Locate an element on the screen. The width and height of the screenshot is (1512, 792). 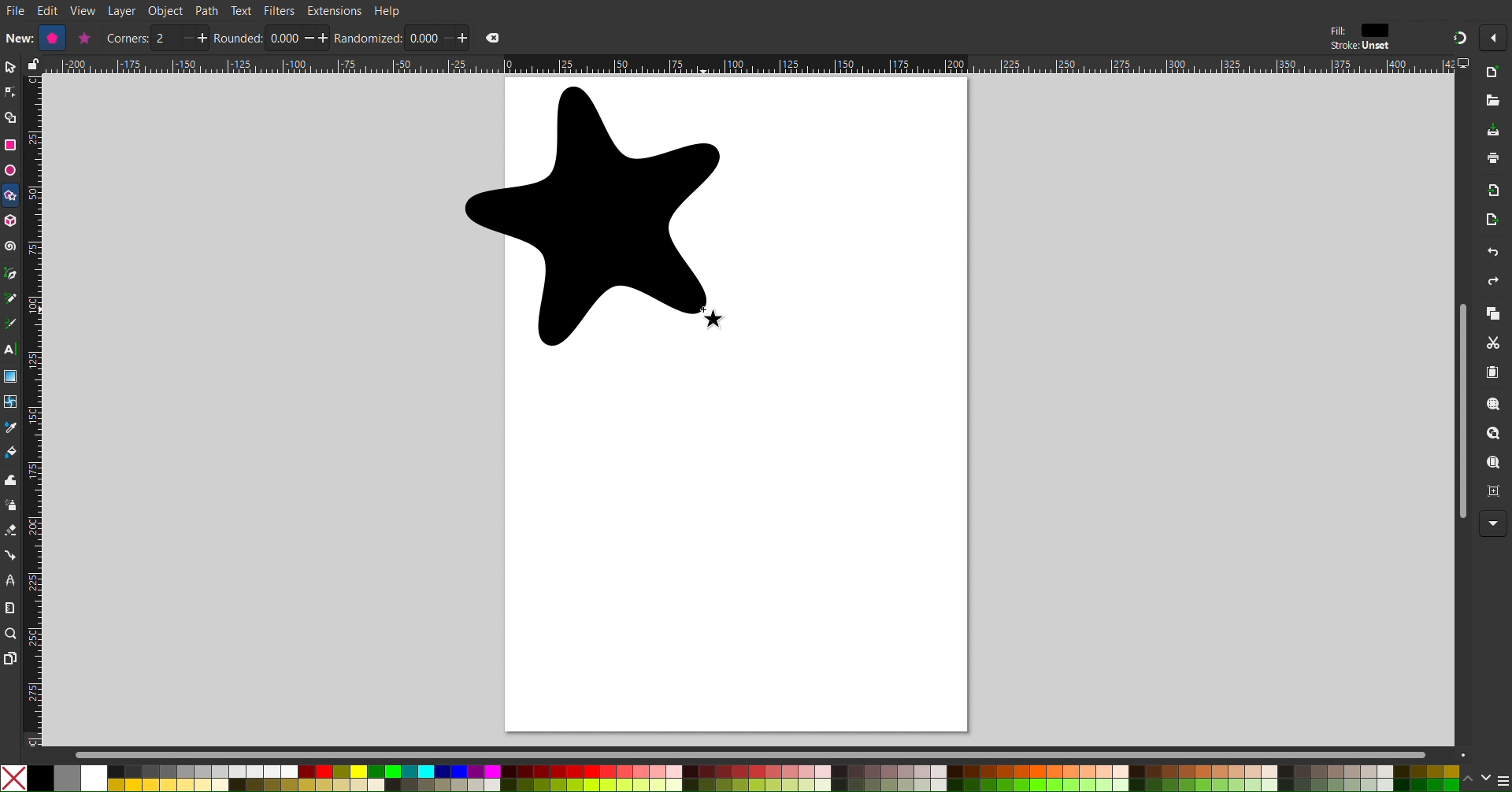
Spray Tool is located at coordinates (10, 505).